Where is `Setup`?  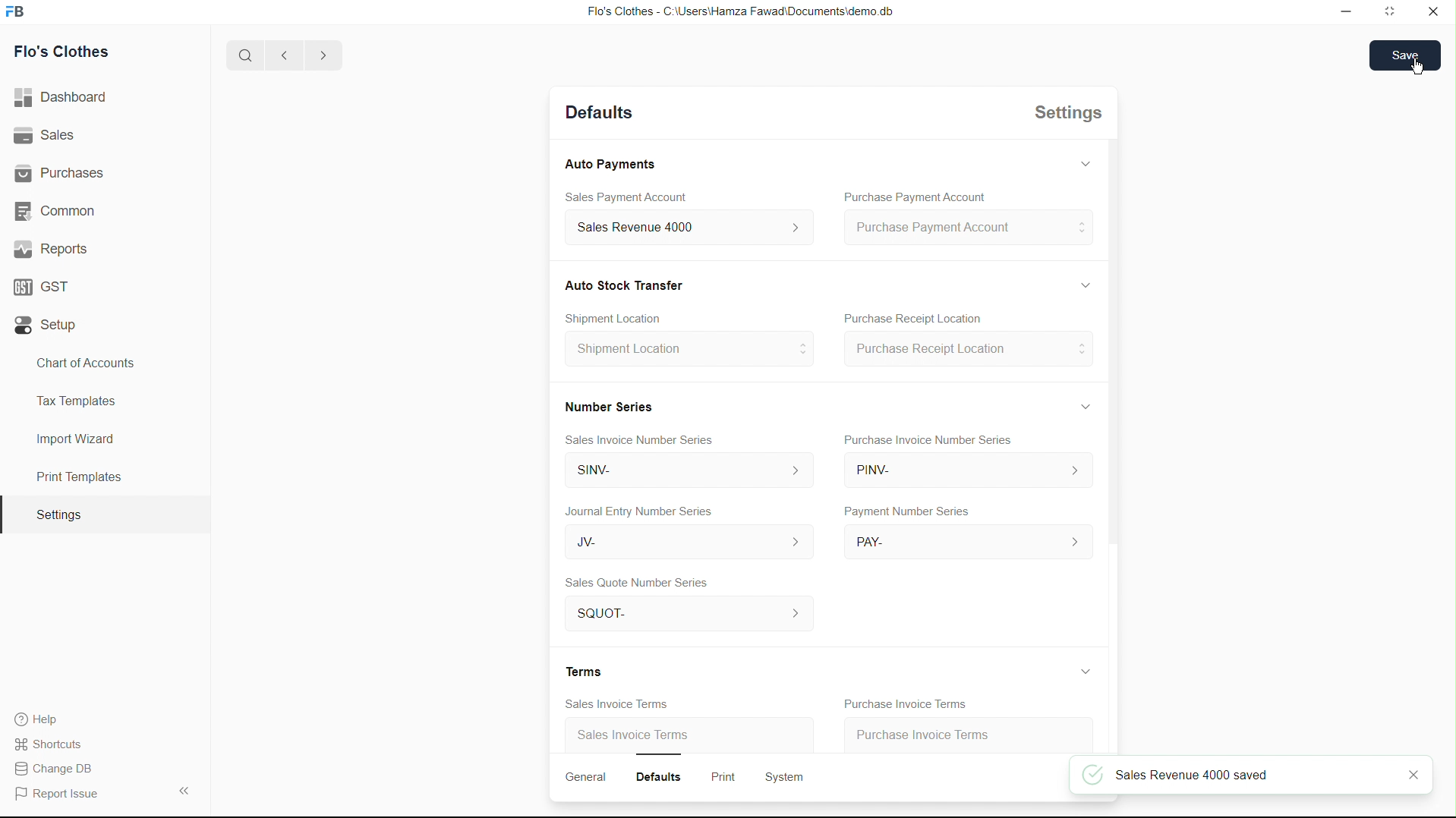
Setup is located at coordinates (49, 326).